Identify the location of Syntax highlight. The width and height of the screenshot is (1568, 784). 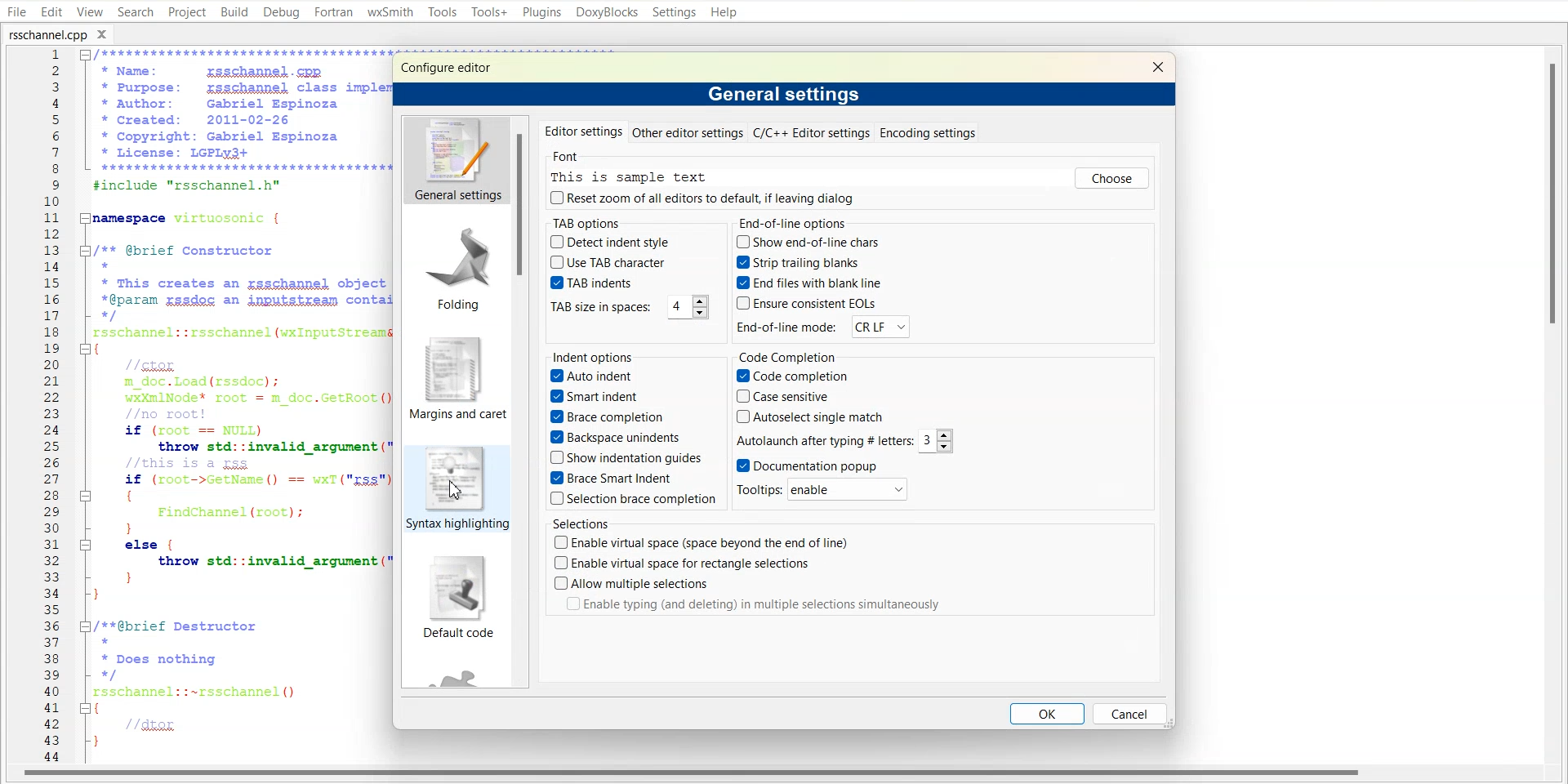
(455, 489).